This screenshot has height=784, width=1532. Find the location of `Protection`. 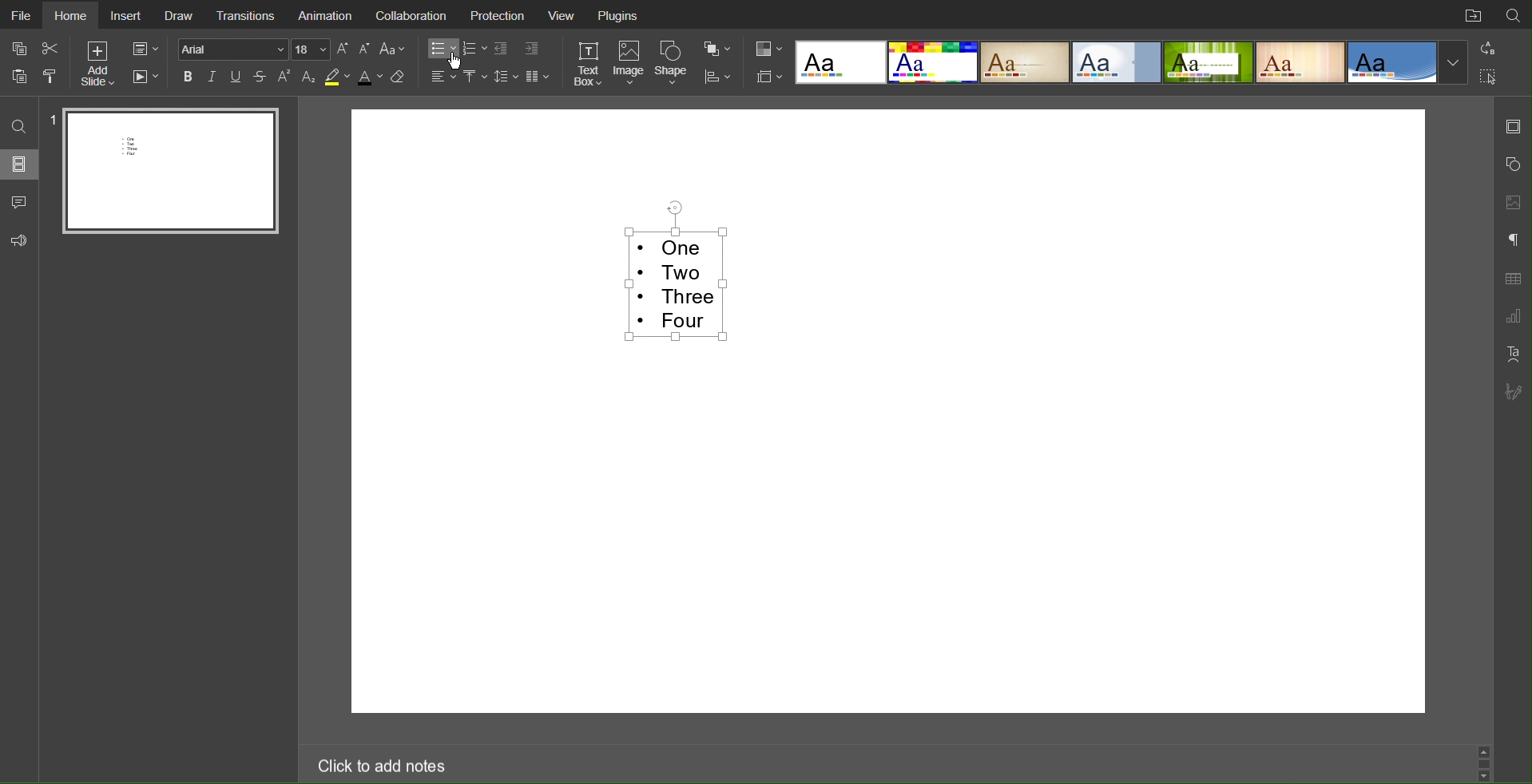

Protection is located at coordinates (495, 14).